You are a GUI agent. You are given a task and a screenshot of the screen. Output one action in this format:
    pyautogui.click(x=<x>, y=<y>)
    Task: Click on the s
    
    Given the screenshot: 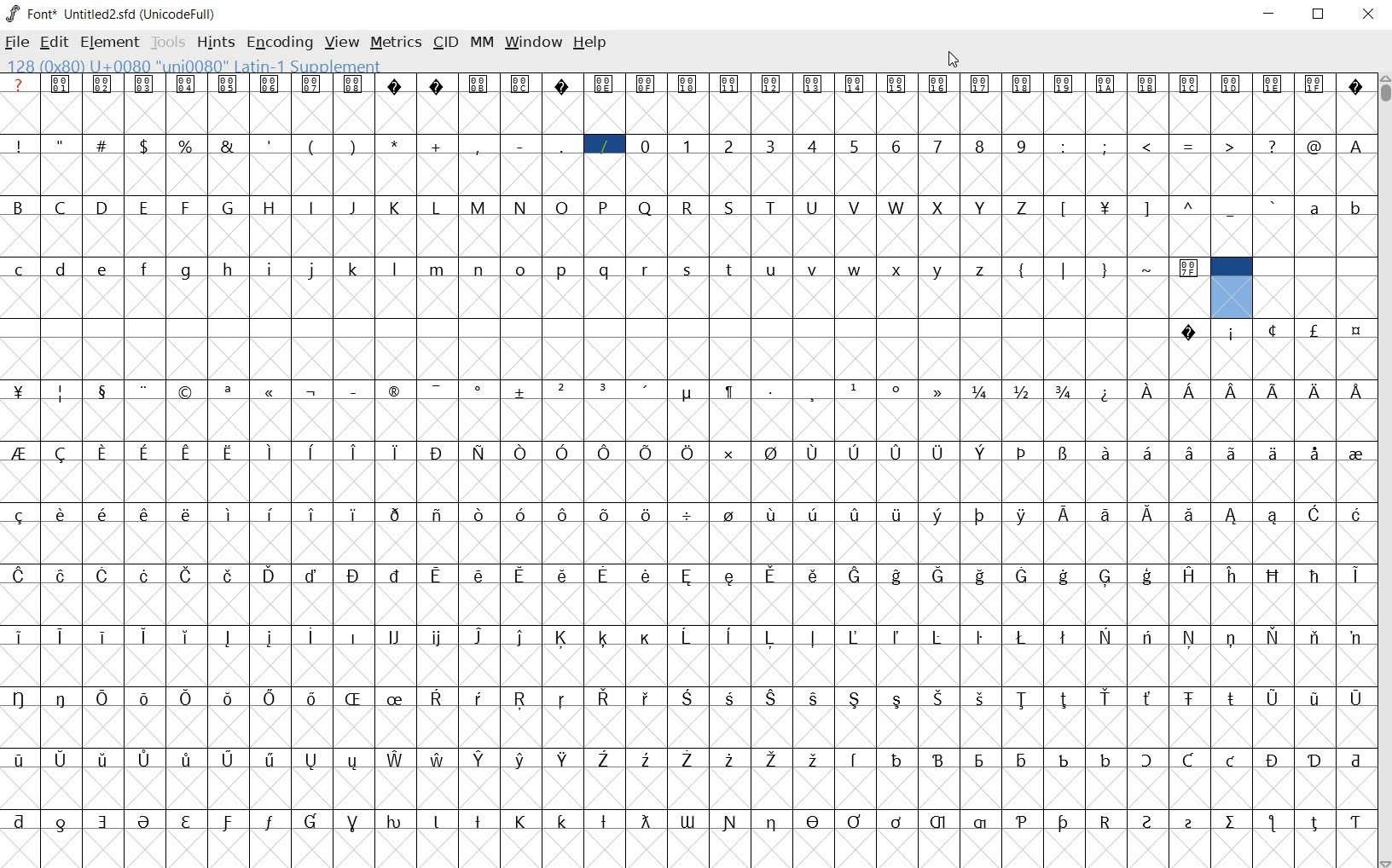 What is the action you would take?
    pyautogui.click(x=688, y=268)
    